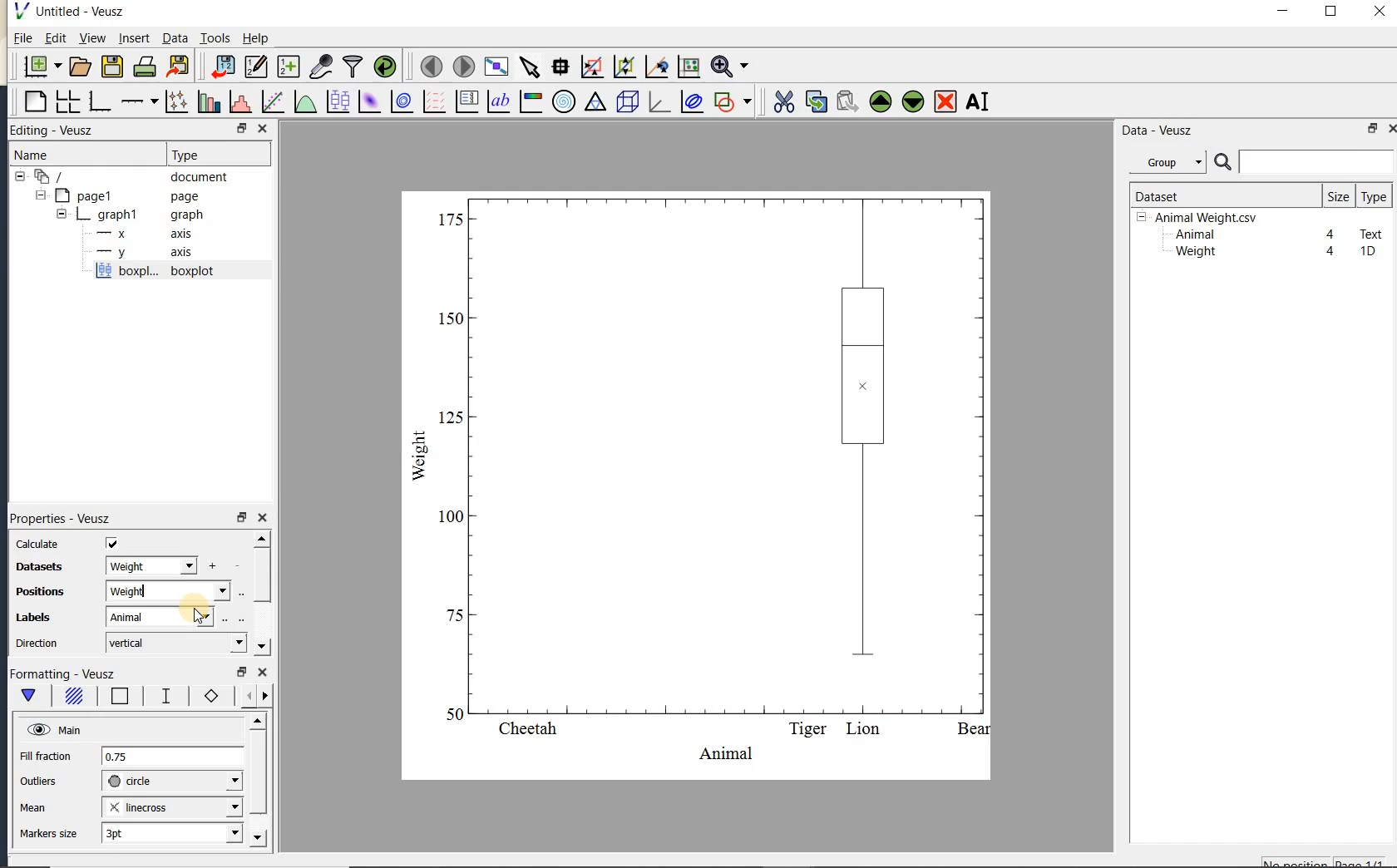 This screenshot has height=868, width=1397. What do you see at coordinates (175, 37) in the screenshot?
I see `Data` at bounding box center [175, 37].